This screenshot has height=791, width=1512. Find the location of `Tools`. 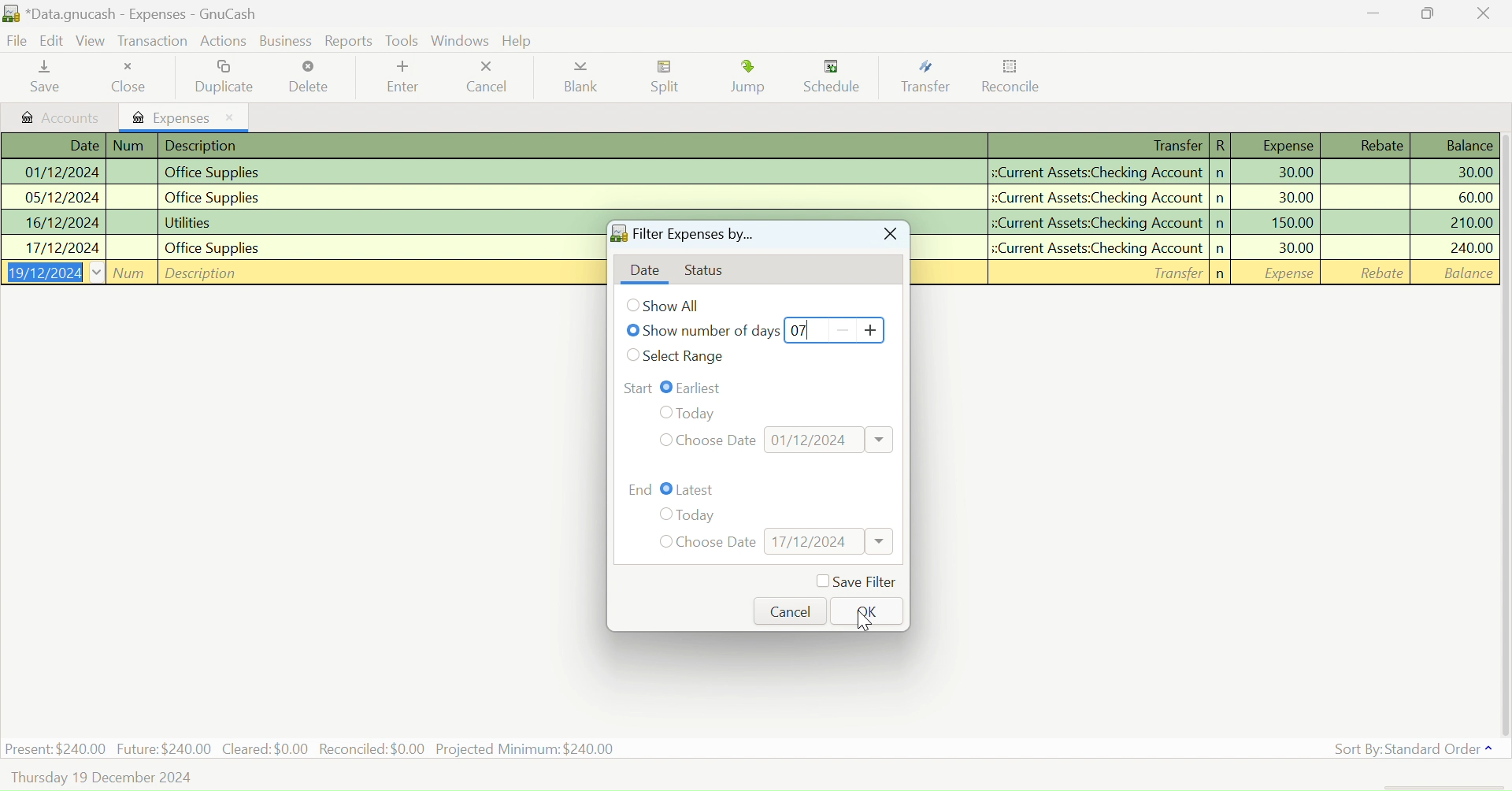

Tools is located at coordinates (402, 39).